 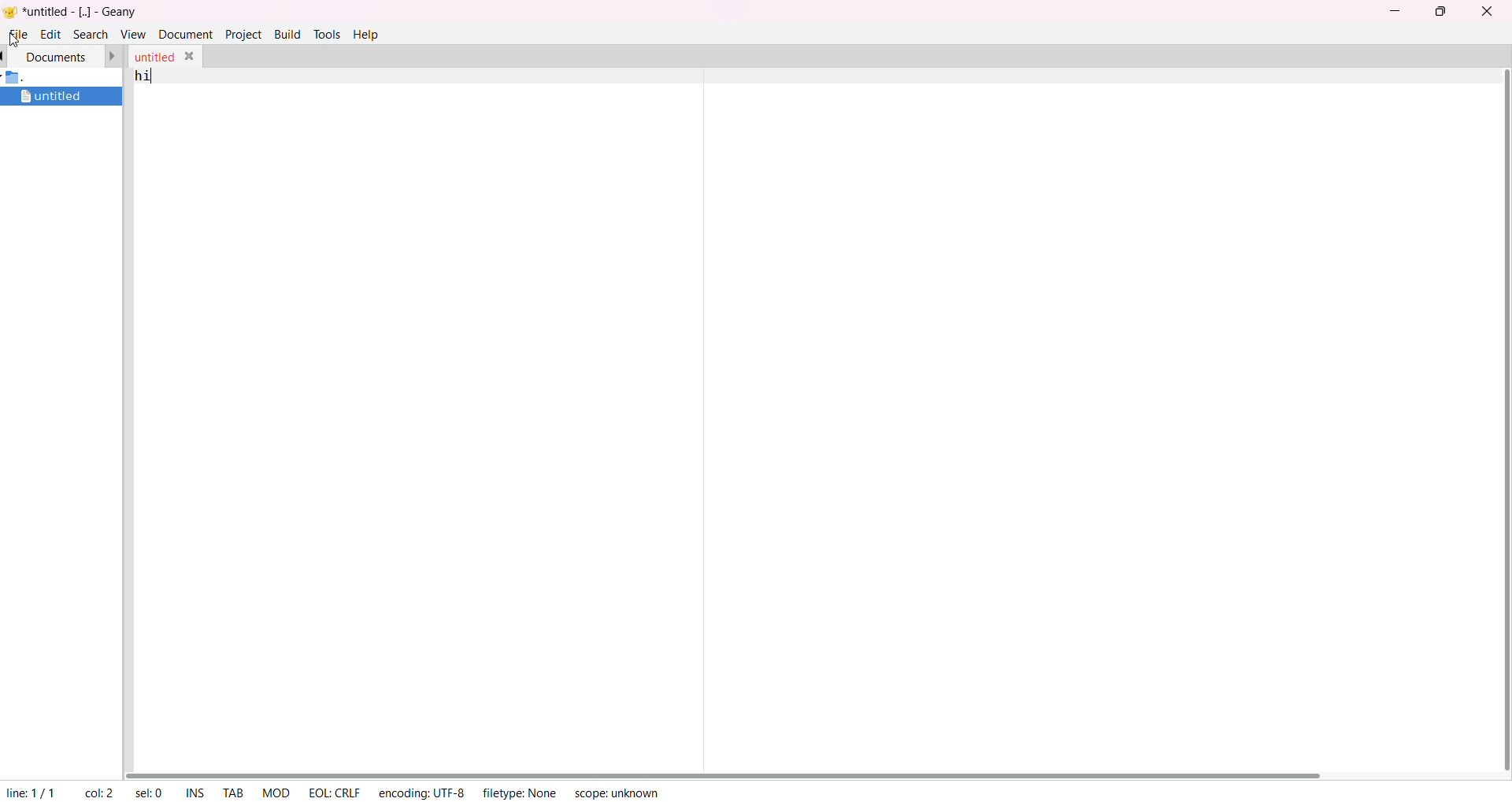 I want to click on edit, so click(x=51, y=33).